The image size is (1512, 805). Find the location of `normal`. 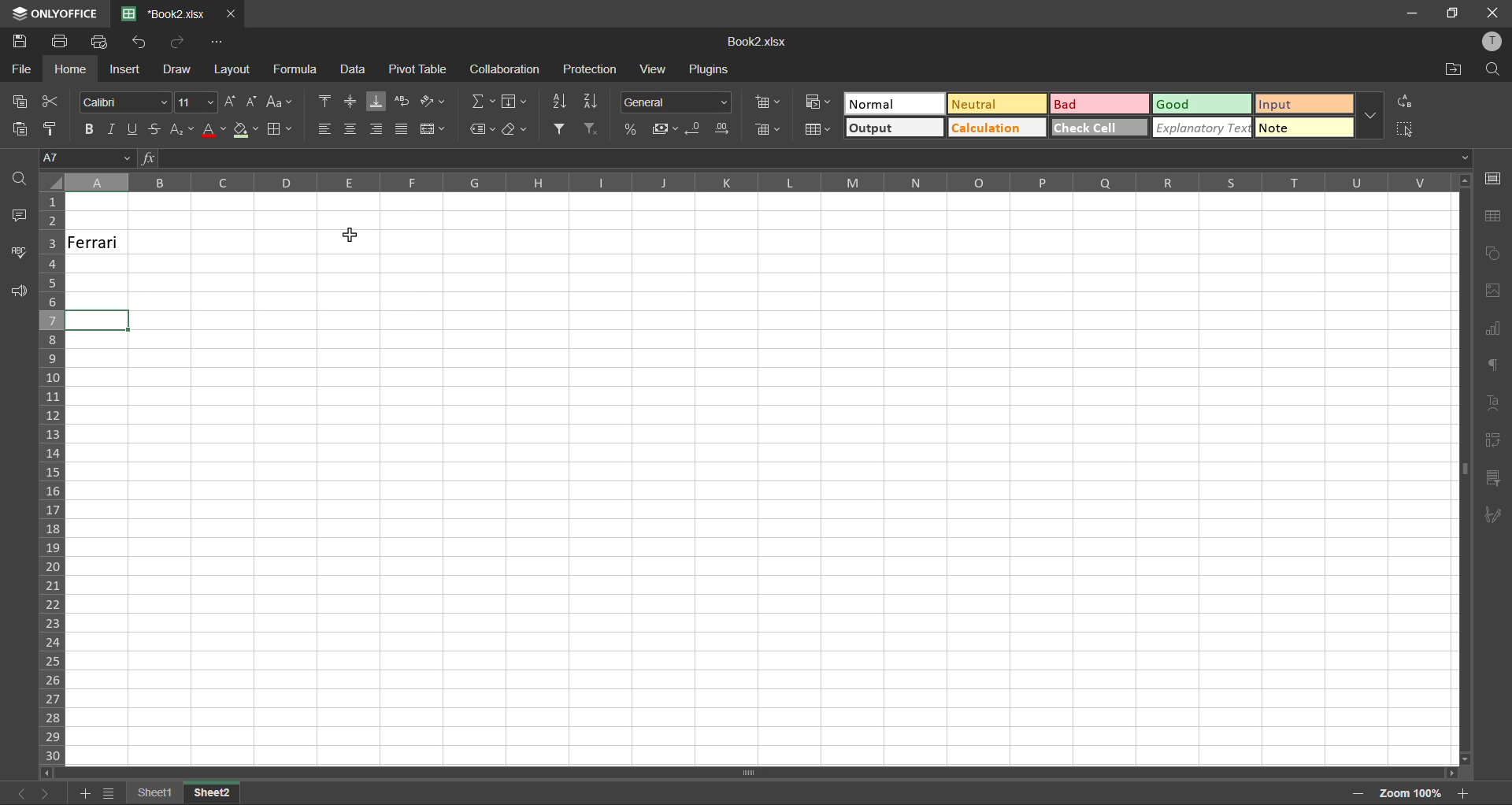

normal is located at coordinates (895, 103).